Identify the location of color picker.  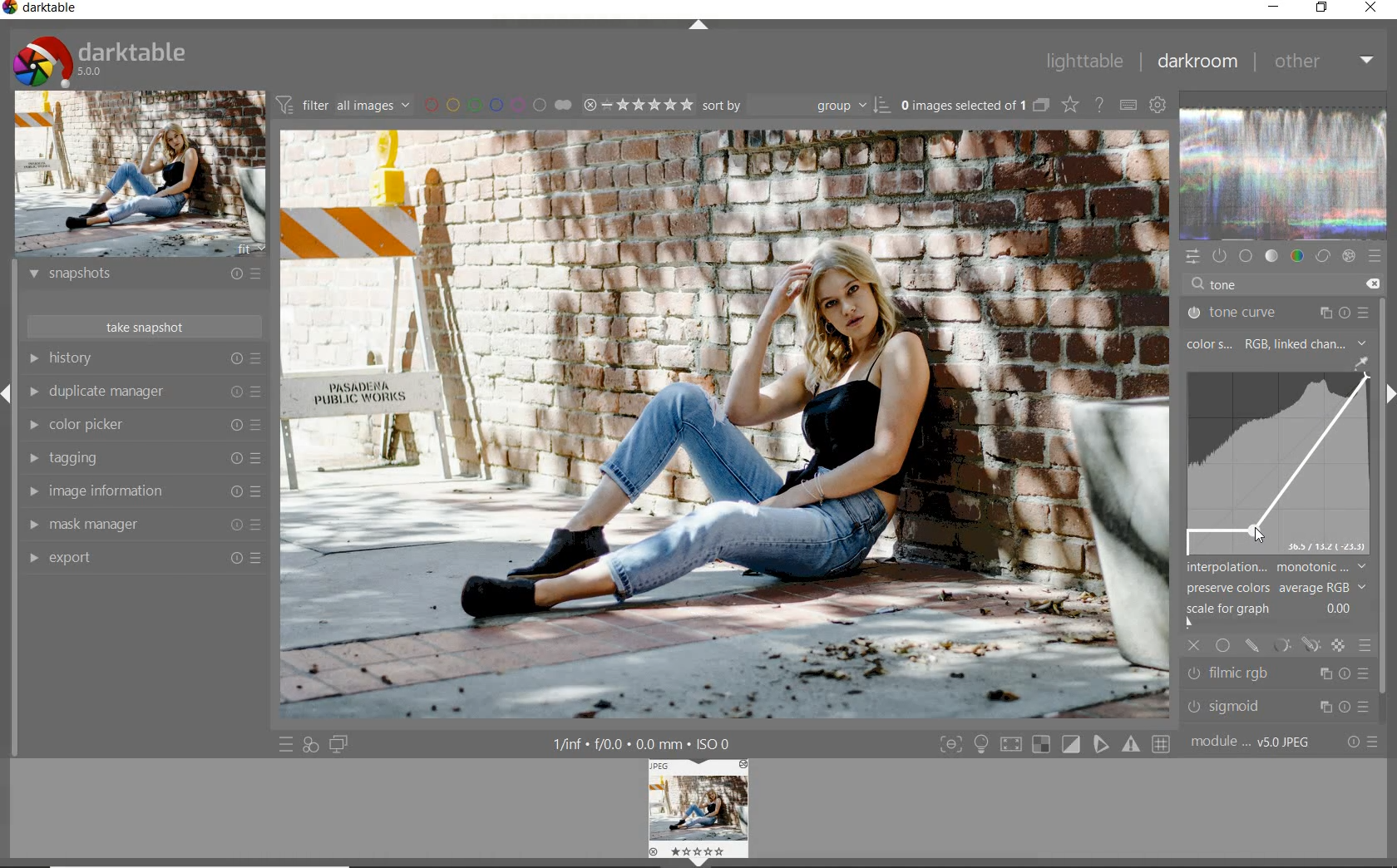
(146, 426).